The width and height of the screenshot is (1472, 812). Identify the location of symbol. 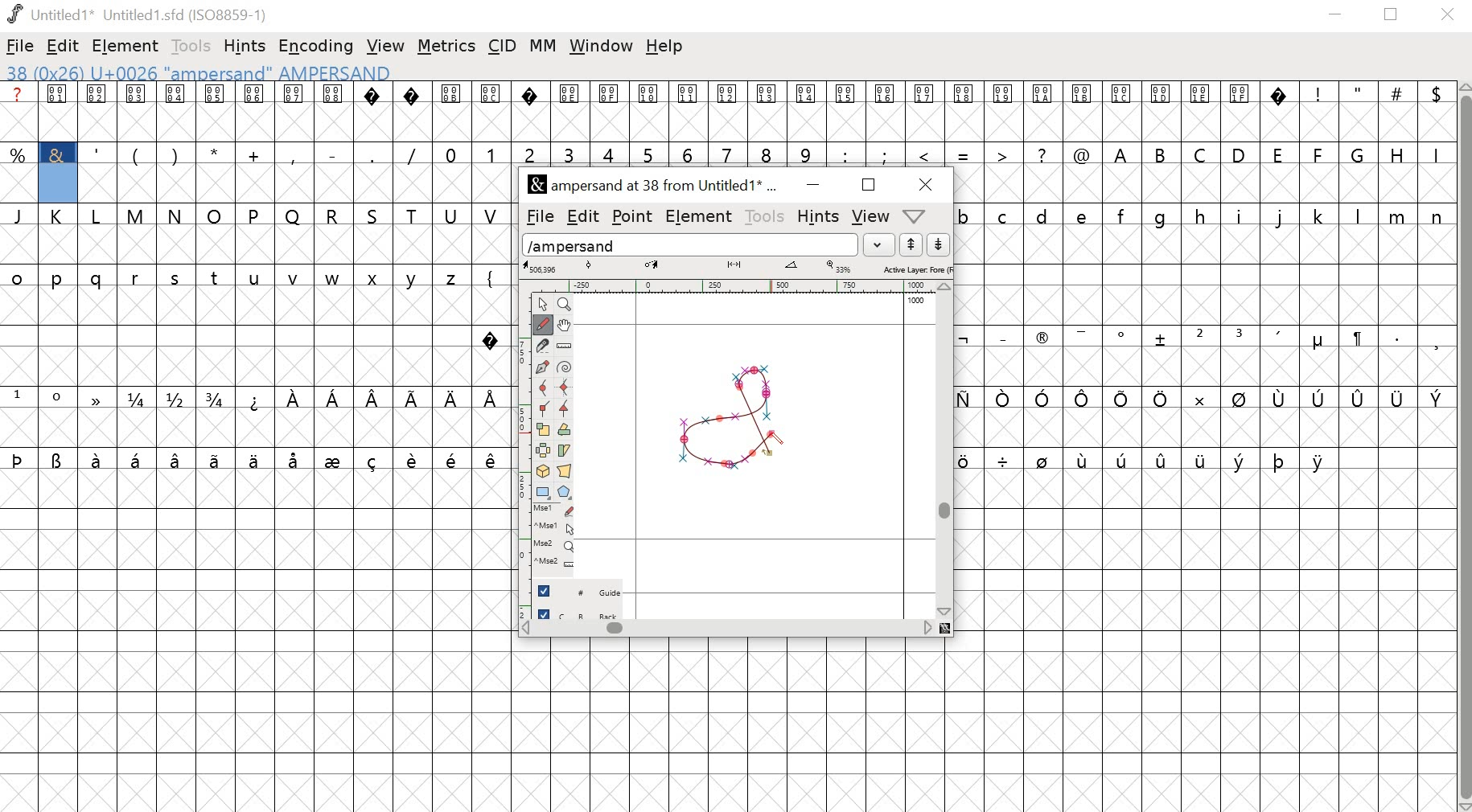
(491, 460).